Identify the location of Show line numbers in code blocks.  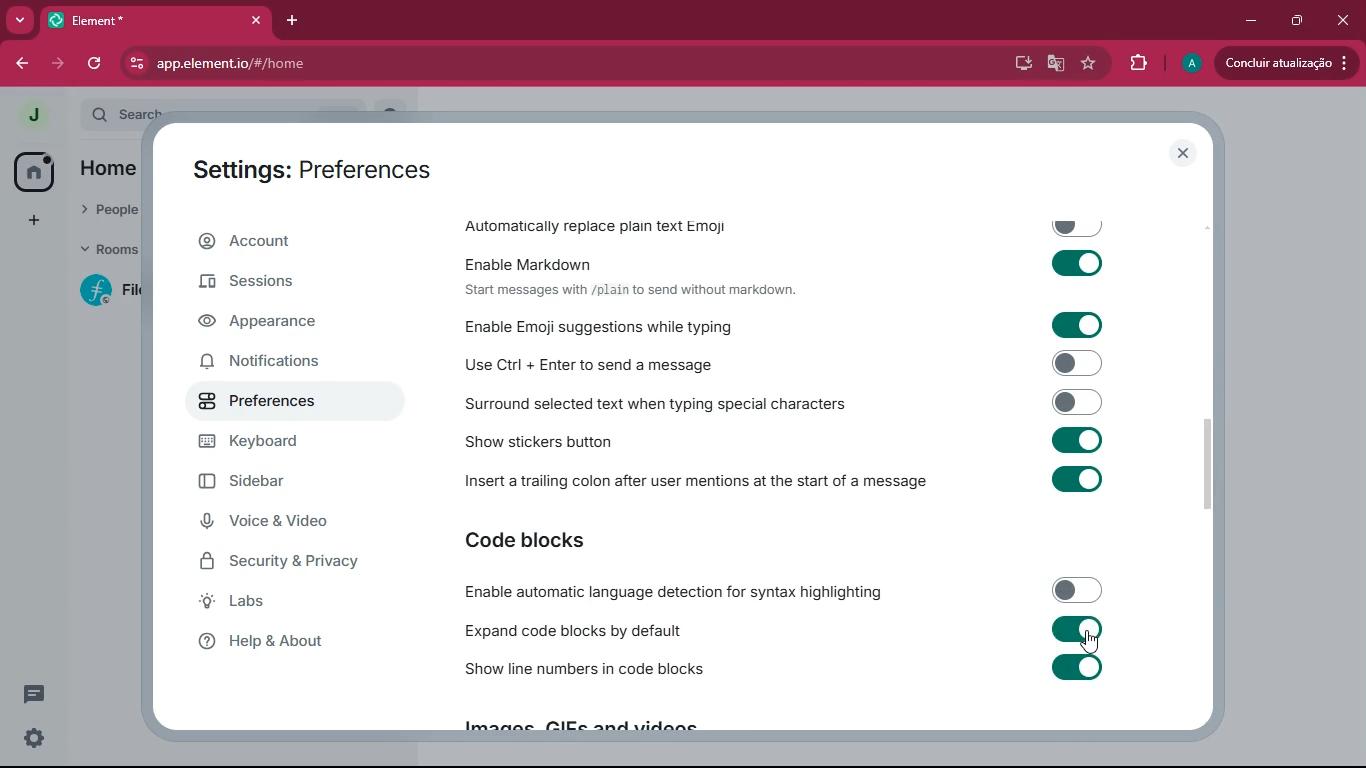
(785, 672).